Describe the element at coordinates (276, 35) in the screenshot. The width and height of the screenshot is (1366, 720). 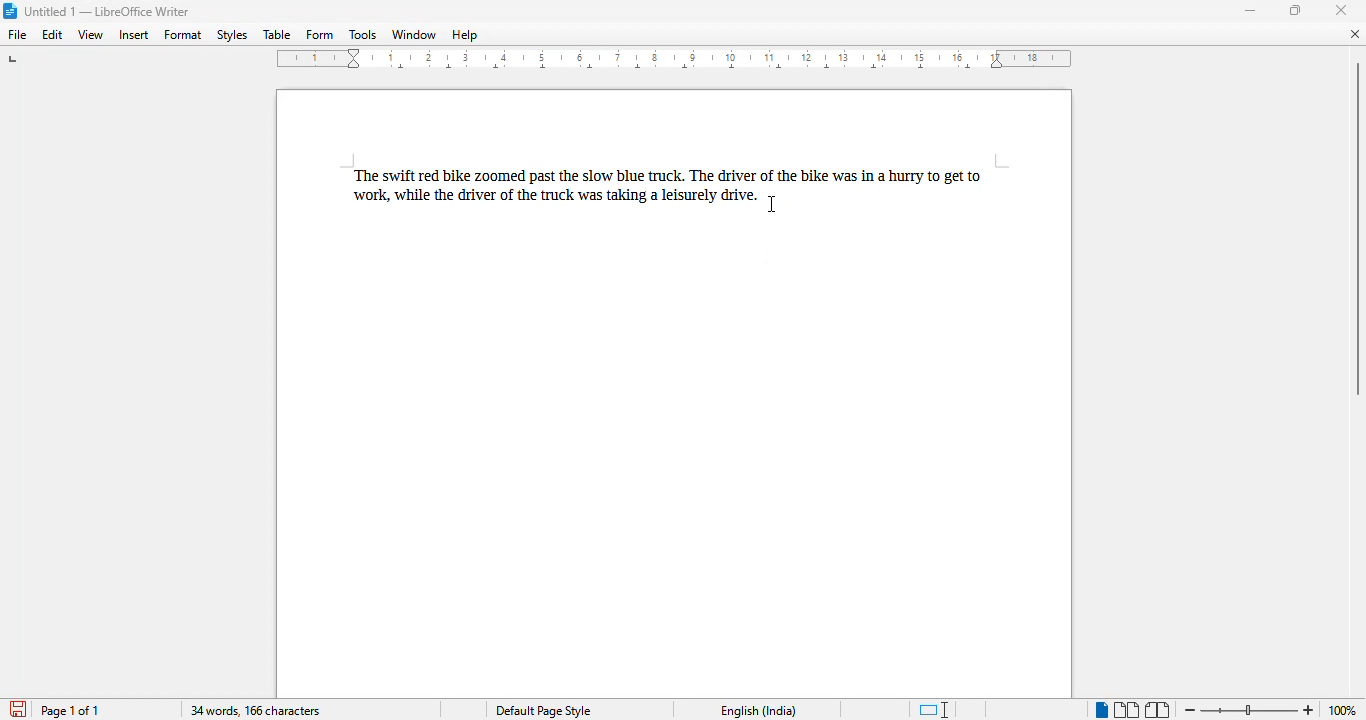
I see `table` at that location.